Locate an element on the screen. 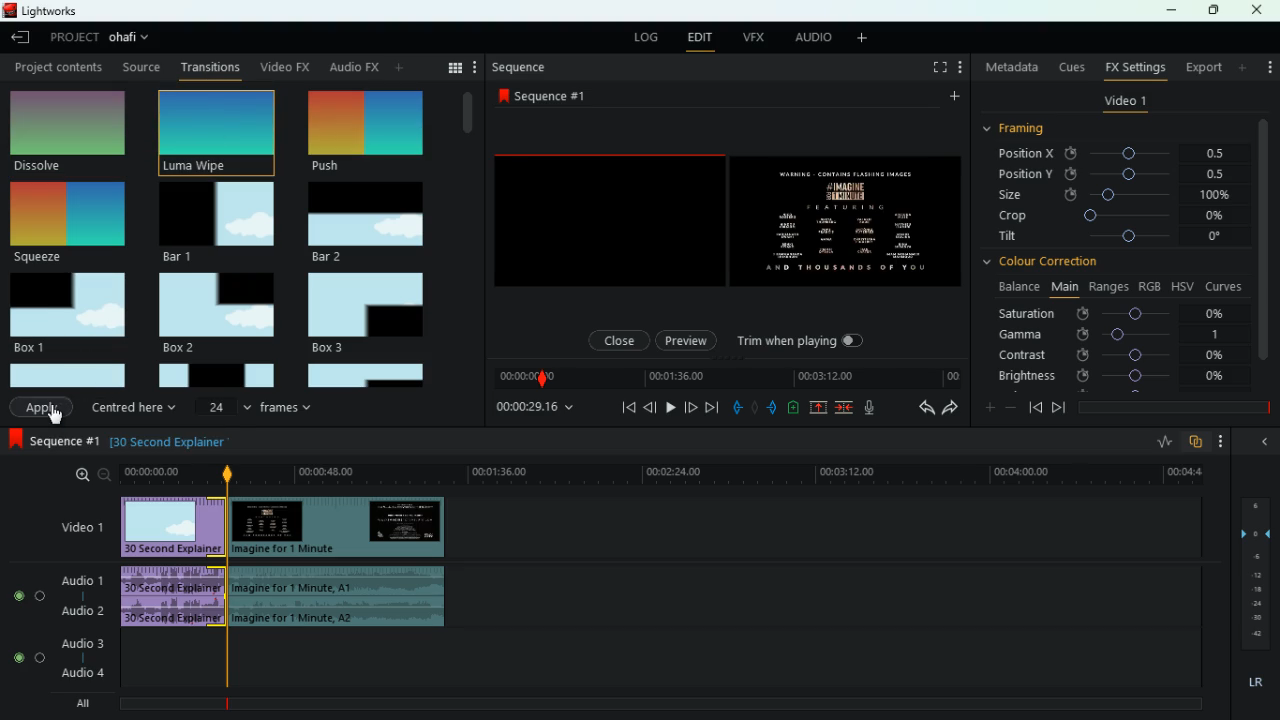 The image size is (1280, 720). tilt is located at coordinates (1113, 238).